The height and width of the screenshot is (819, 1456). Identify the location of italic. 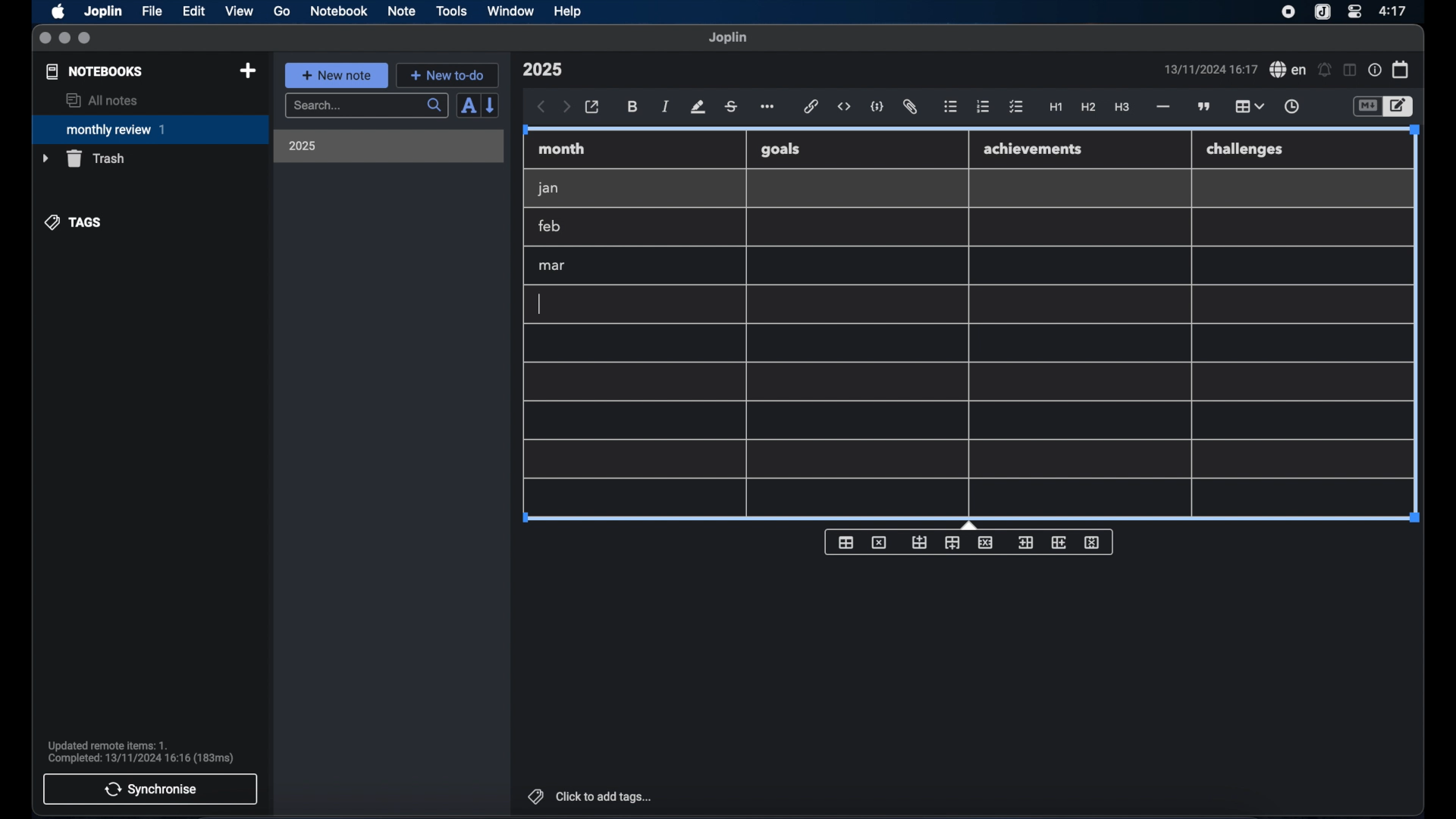
(666, 106).